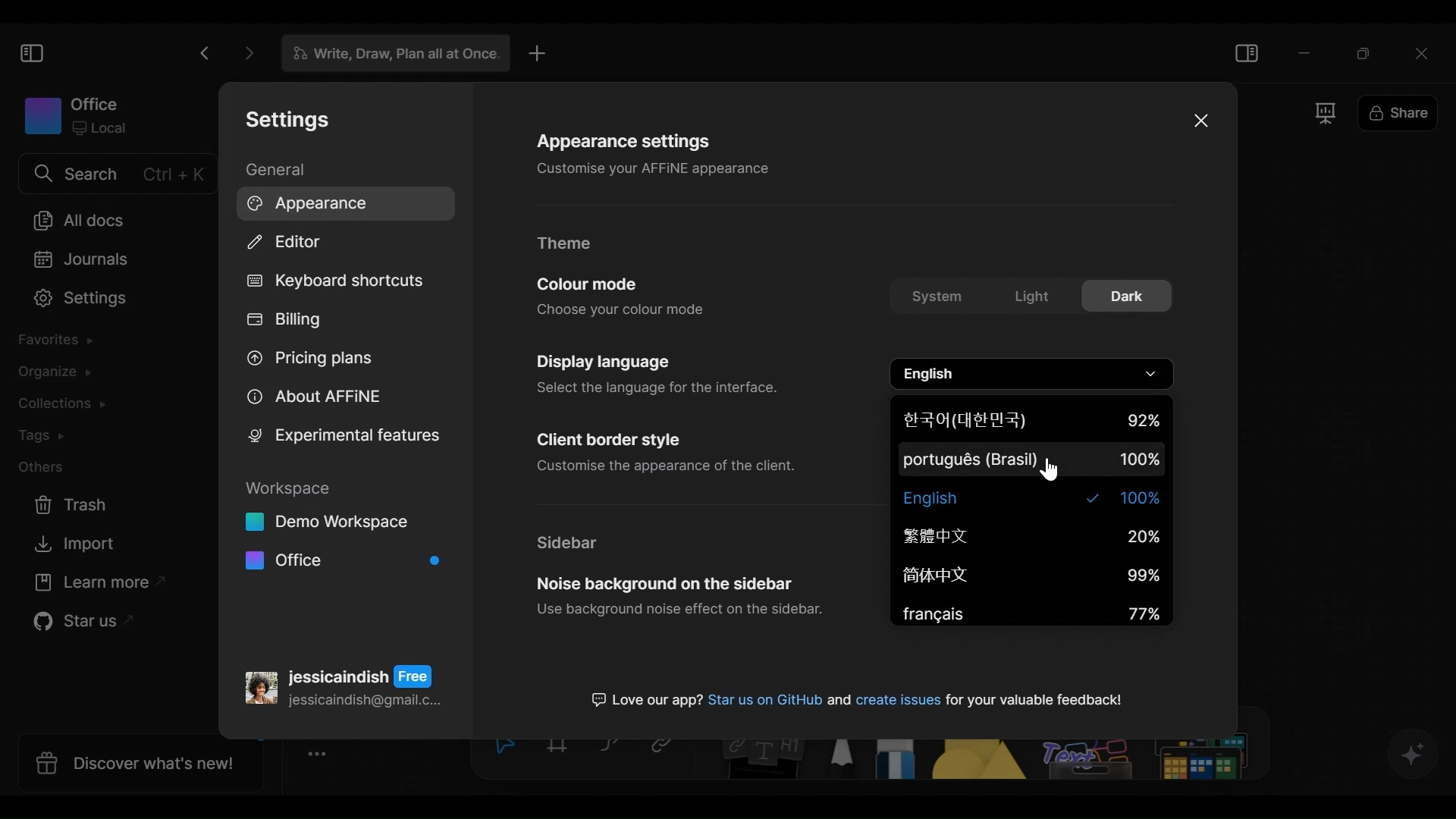 This screenshot has width=1456, height=819. Describe the element at coordinates (538, 53) in the screenshot. I see `New Tab` at that location.